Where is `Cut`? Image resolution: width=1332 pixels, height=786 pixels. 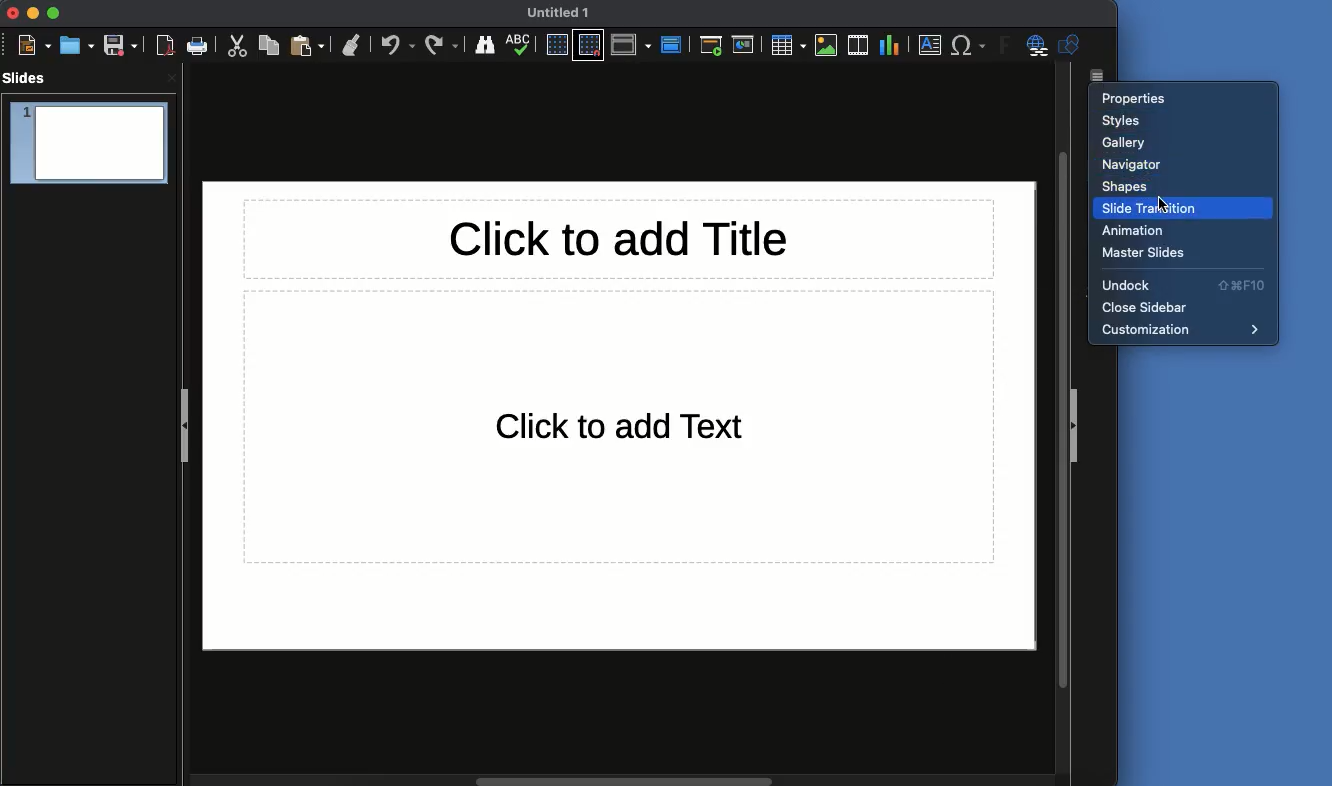
Cut is located at coordinates (235, 46).